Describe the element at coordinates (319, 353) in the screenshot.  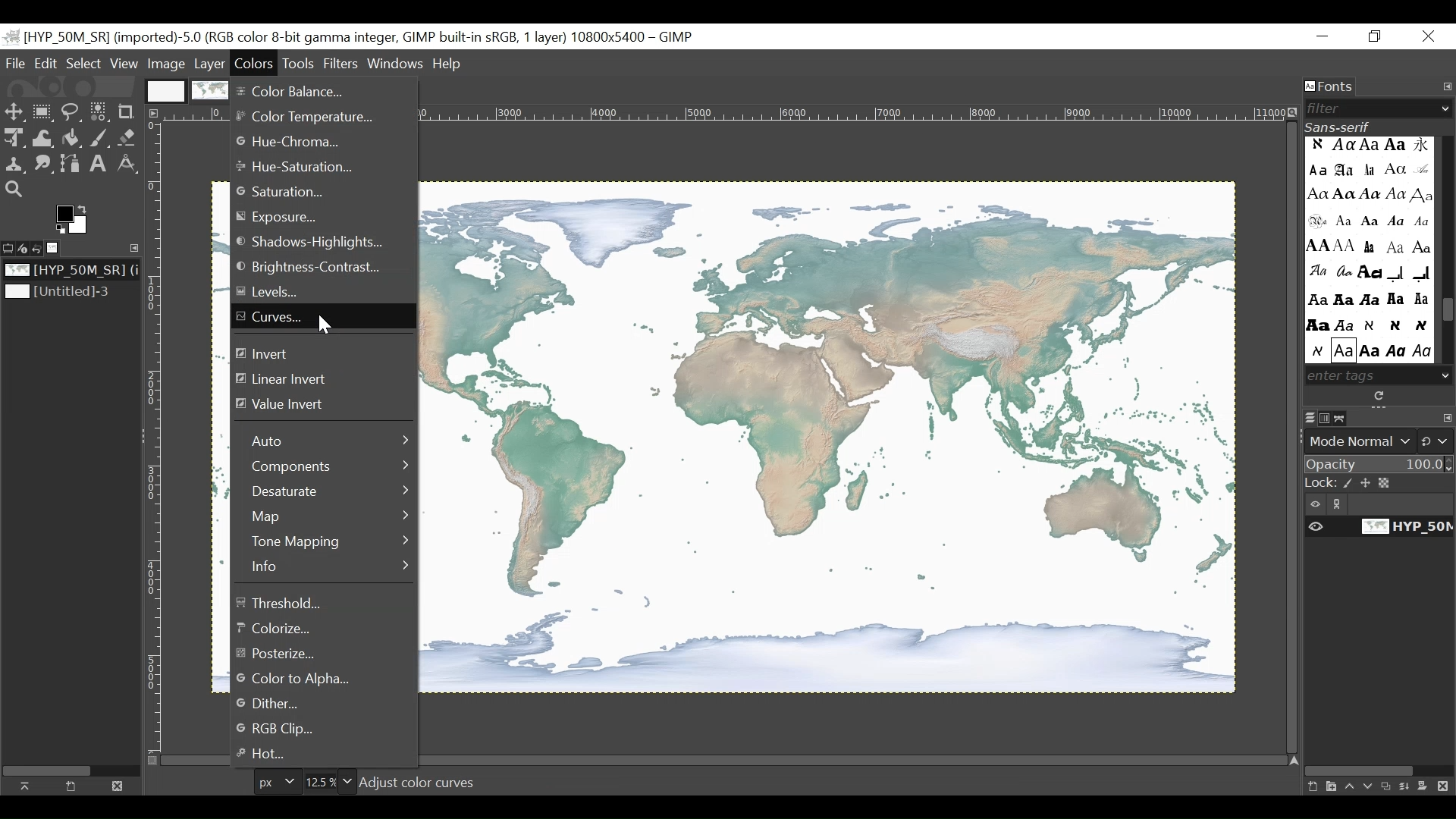
I see `Invert` at that location.